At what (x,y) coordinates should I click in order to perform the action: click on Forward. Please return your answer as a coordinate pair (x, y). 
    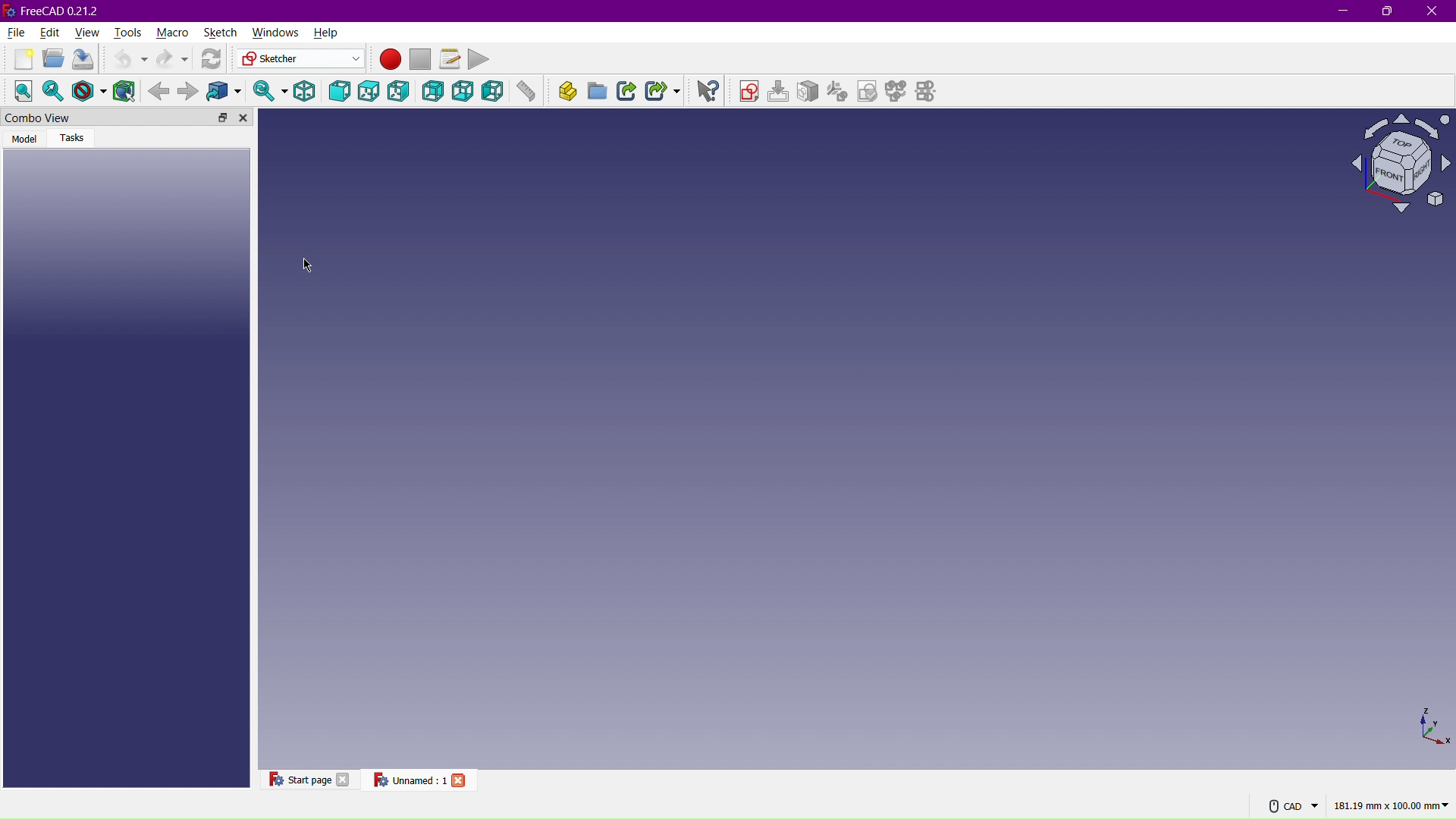
    Looking at the image, I should click on (189, 89).